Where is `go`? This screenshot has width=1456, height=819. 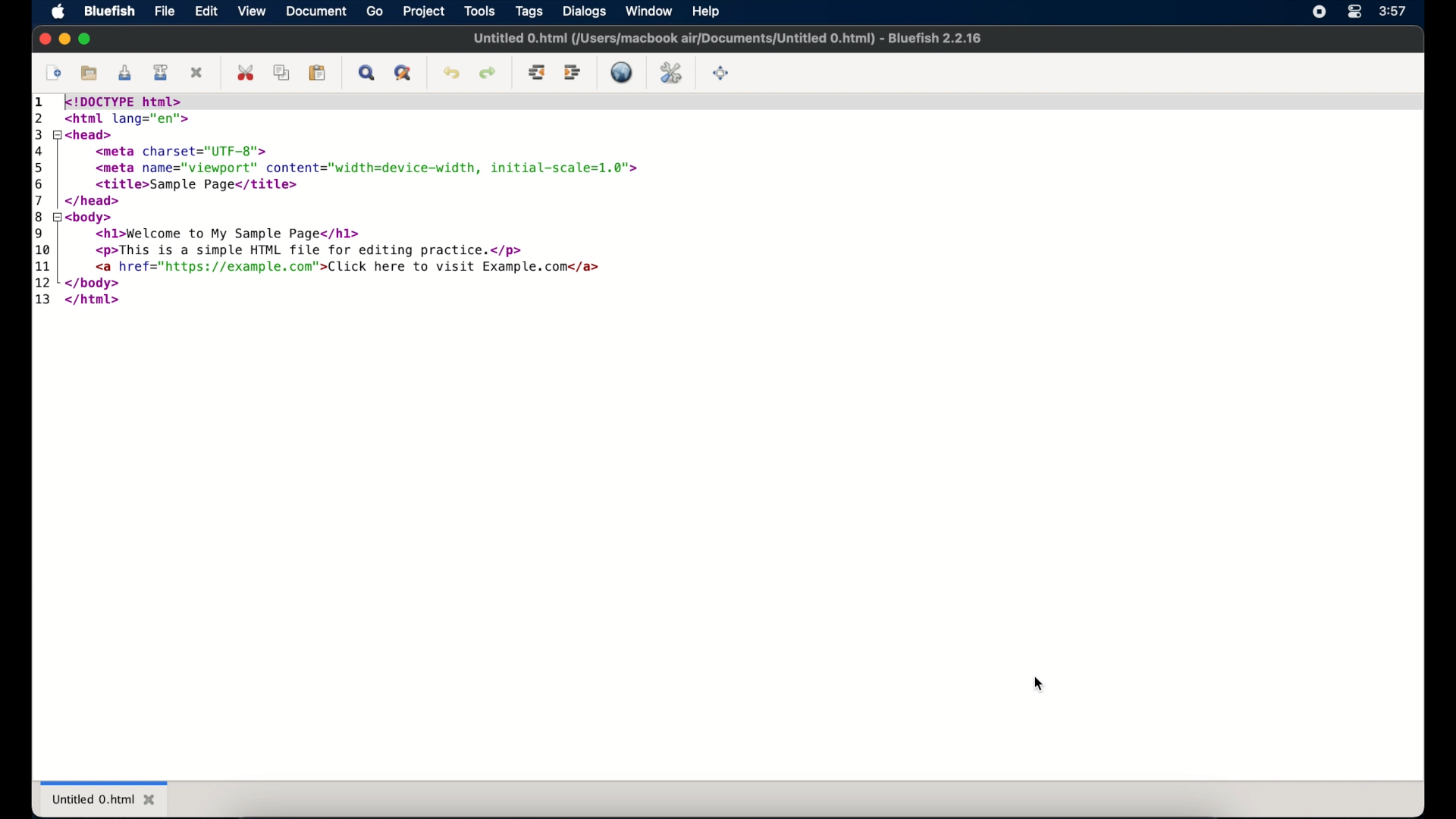 go is located at coordinates (375, 11).